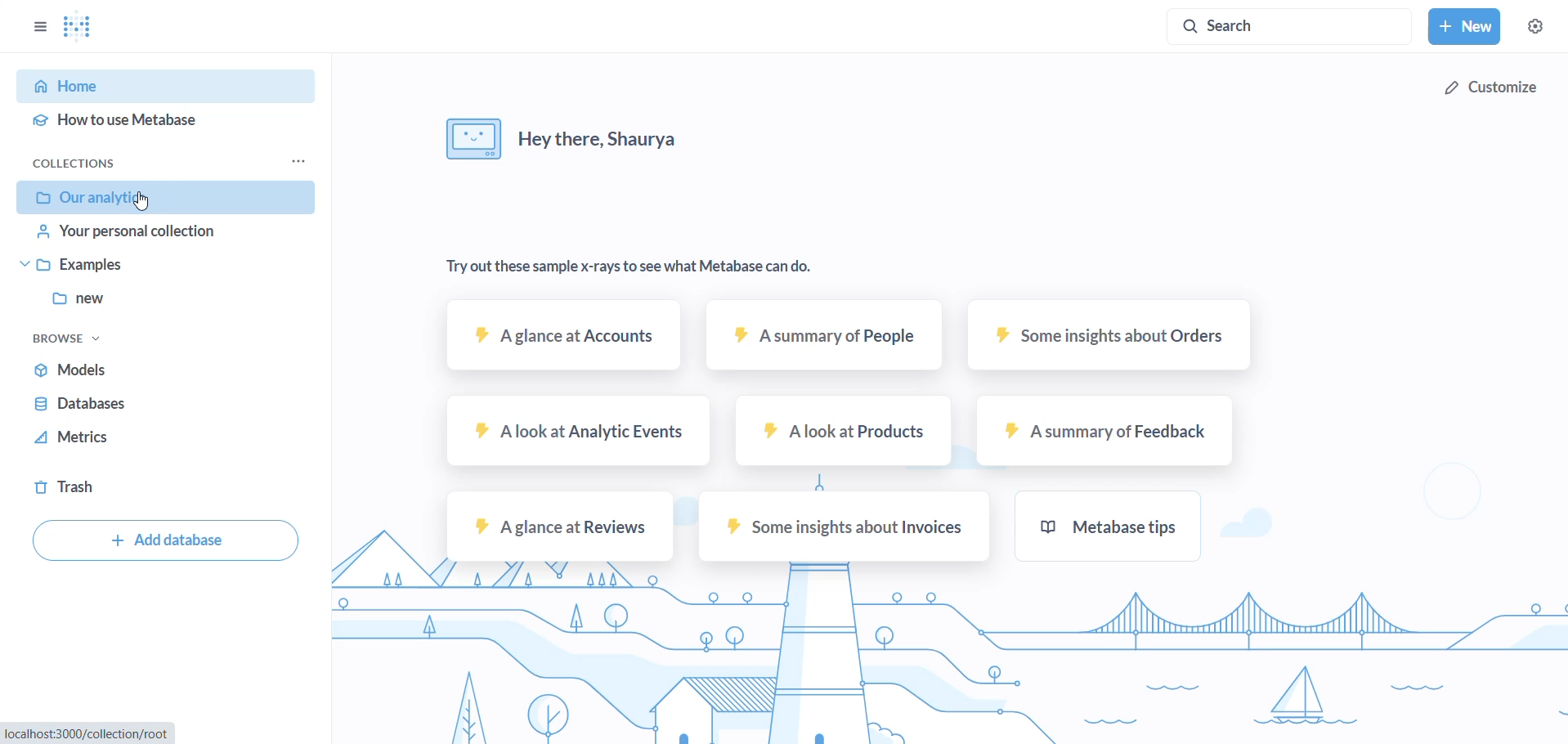 This screenshot has height=744, width=1568. What do you see at coordinates (1113, 526) in the screenshot?
I see `metabase tips` at bounding box center [1113, 526].